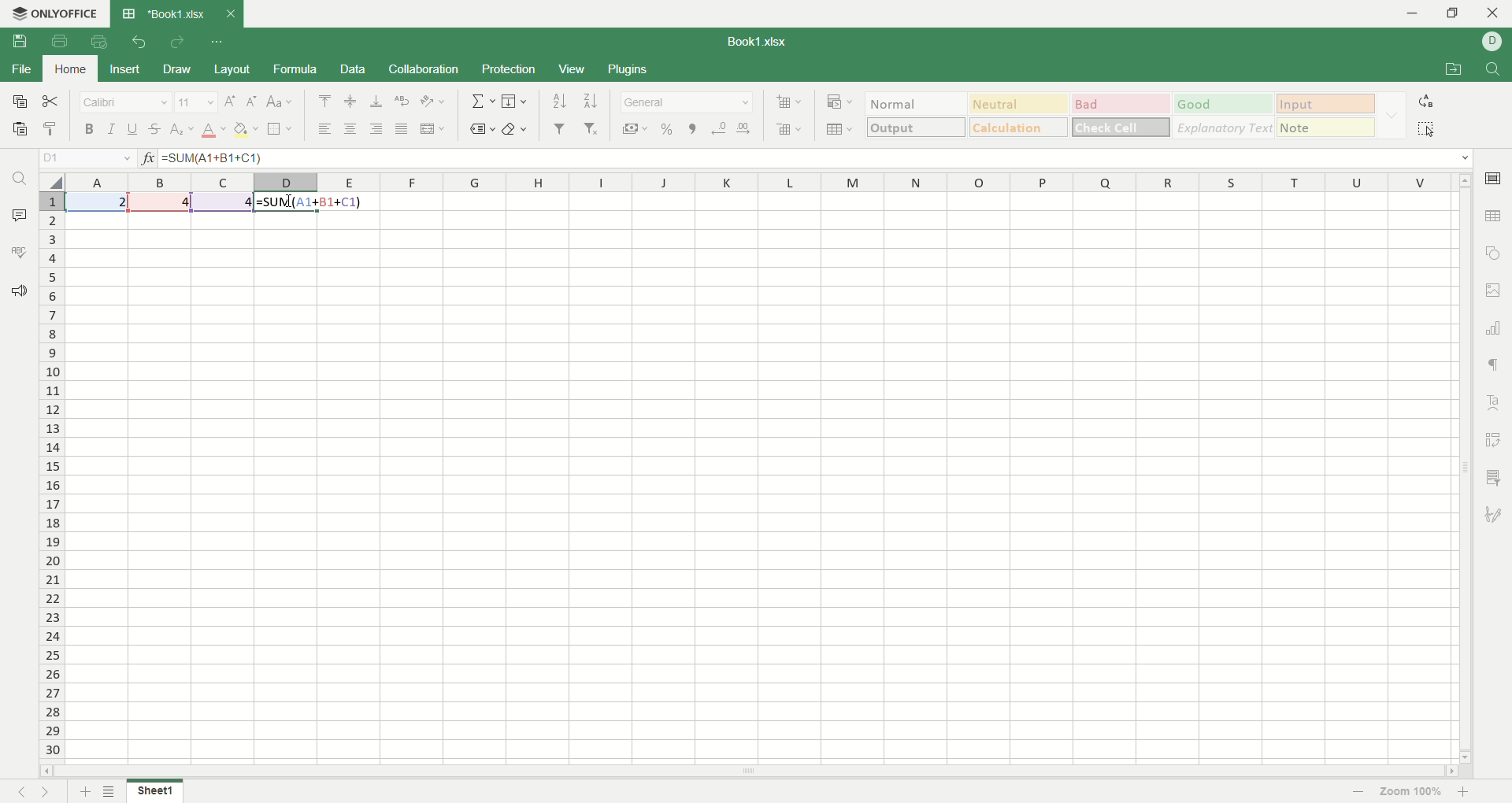 The height and width of the screenshot is (803, 1512). Describe the element at coordinates (1225, 127) in the screenshot. I see `explanatory text` at that location.